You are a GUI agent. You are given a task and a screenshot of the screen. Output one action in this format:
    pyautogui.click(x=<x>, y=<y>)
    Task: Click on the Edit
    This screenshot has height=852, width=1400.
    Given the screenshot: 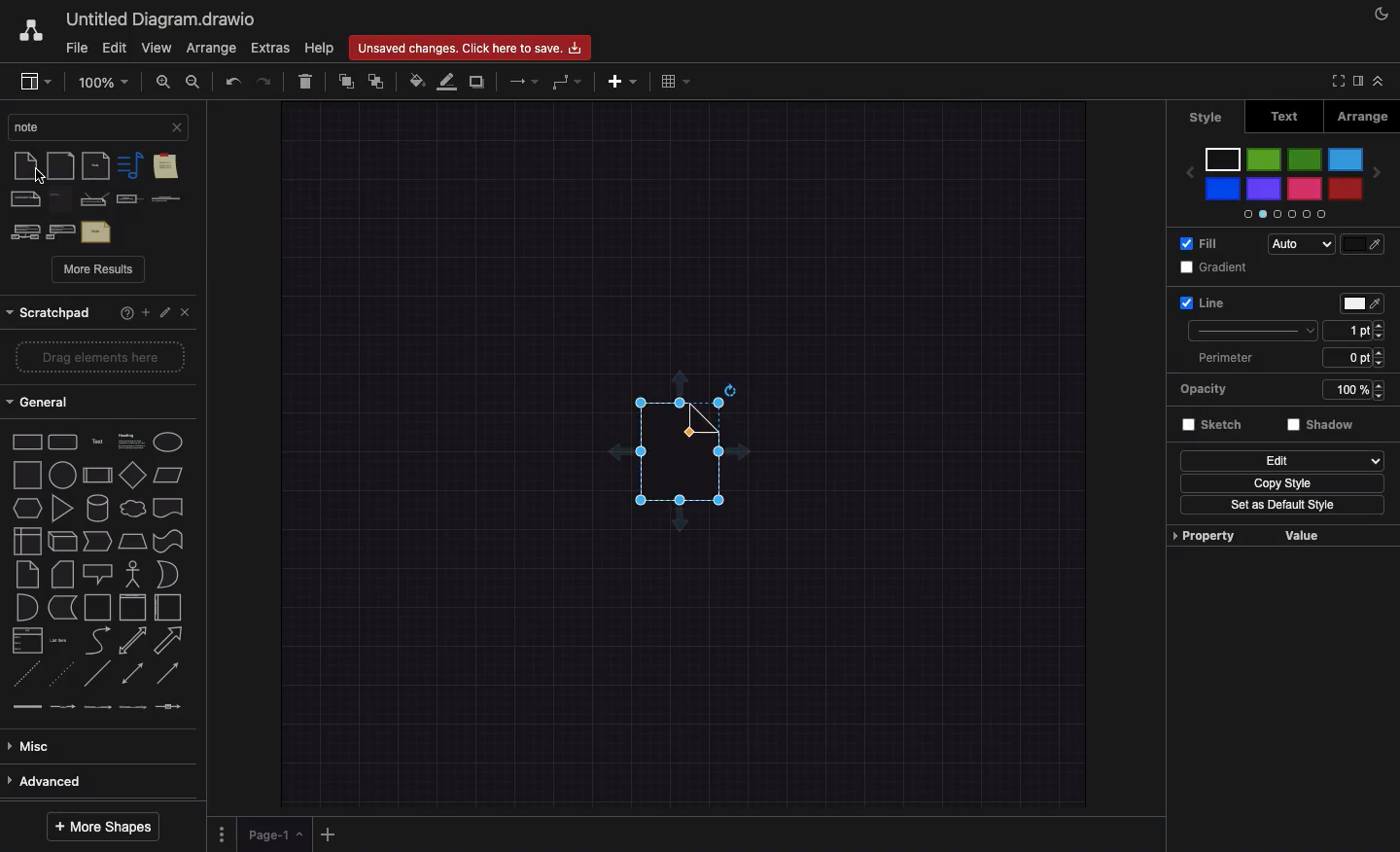 What is the action you would take?
    pyautogui.click(x=1281, y=460)
    